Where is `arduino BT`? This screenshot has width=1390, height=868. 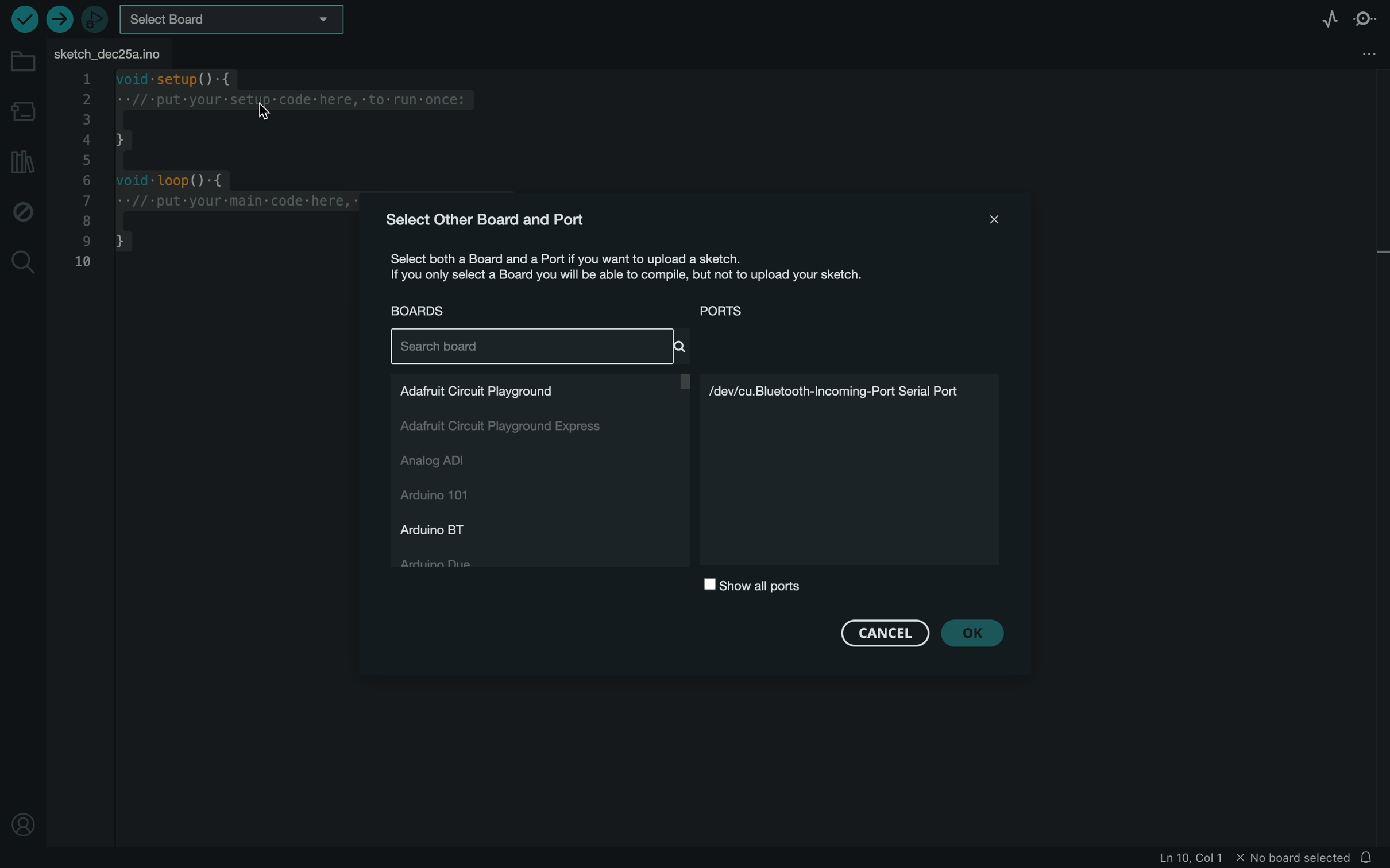 arduino BT is located at coordinates (442, 529).